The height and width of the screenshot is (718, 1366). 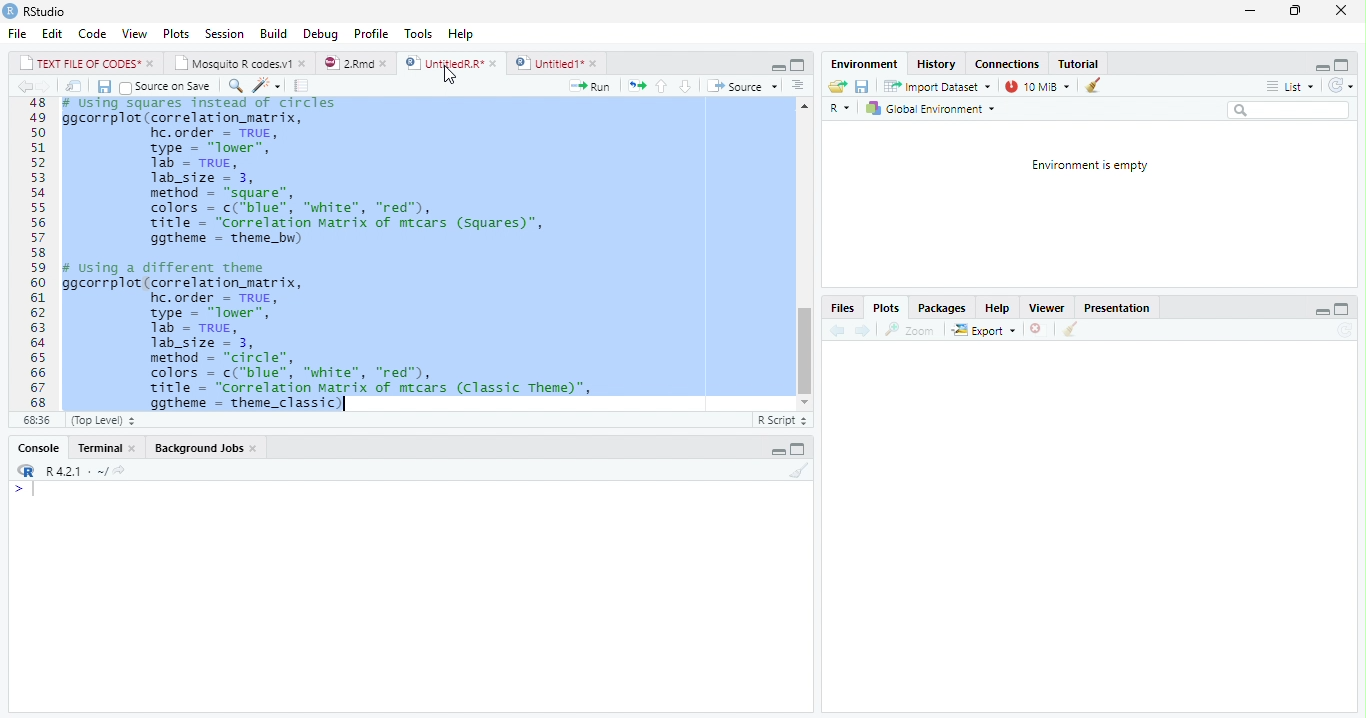 I want to click on Packages, so click(x=939, y=309).